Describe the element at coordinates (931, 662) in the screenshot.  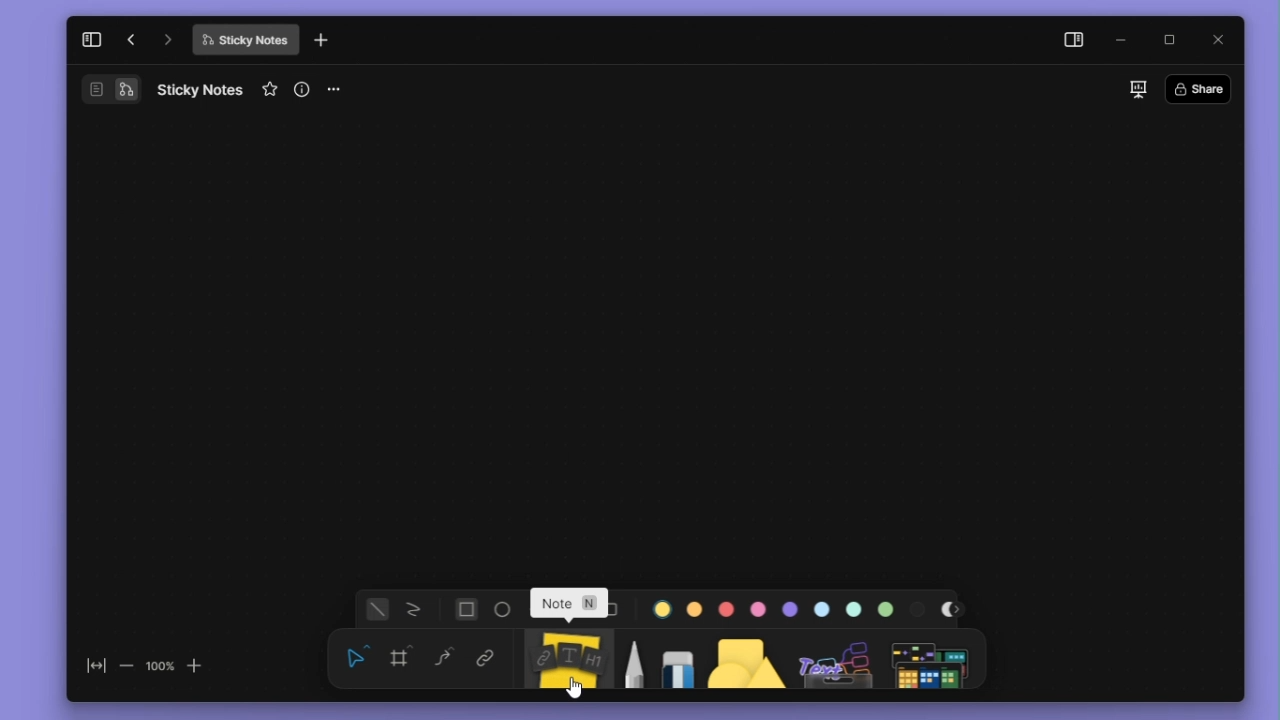
I see `Symbols Panel Icon` at that location.